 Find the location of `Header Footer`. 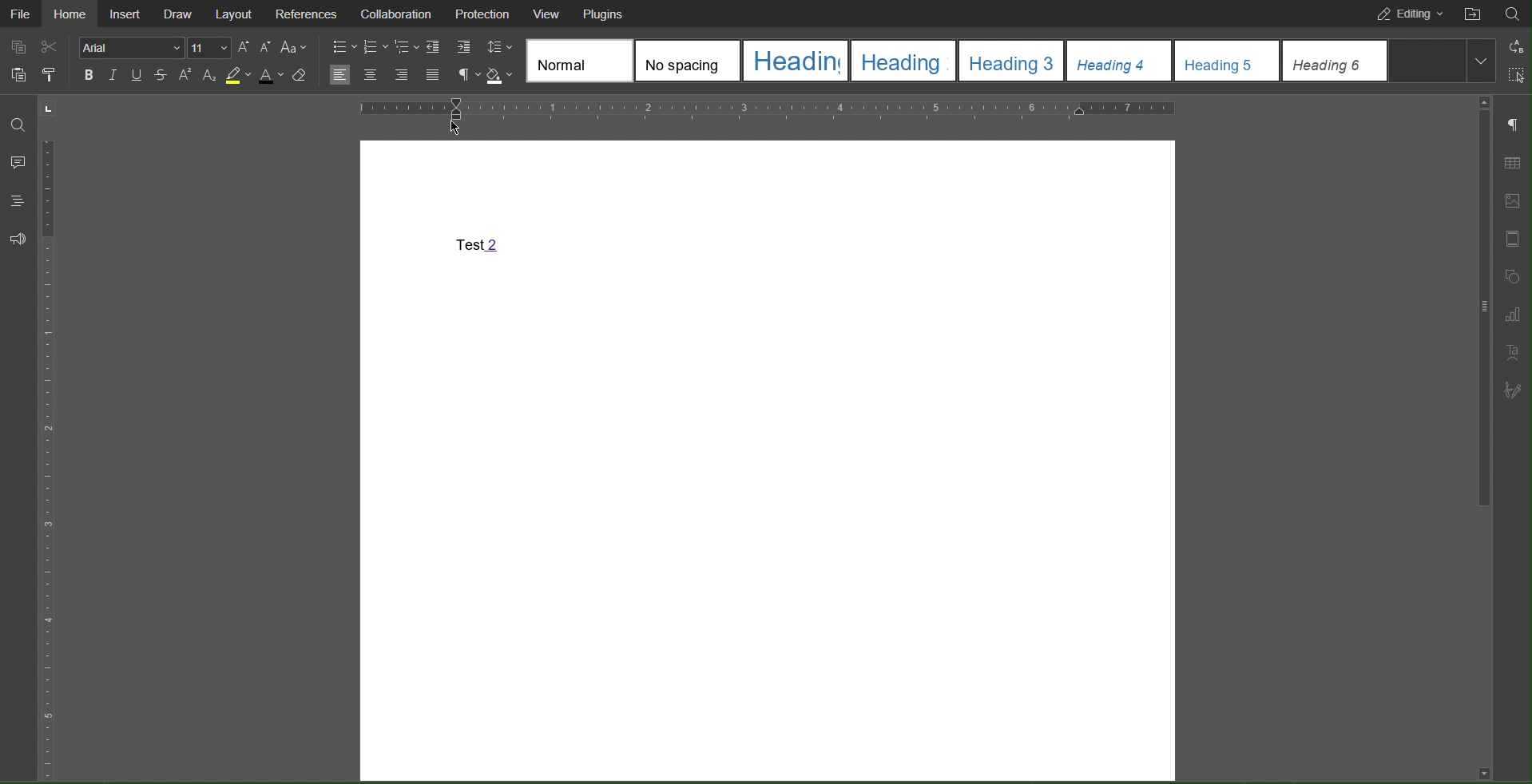

Header Footer is located at coordinates (1516, 240).